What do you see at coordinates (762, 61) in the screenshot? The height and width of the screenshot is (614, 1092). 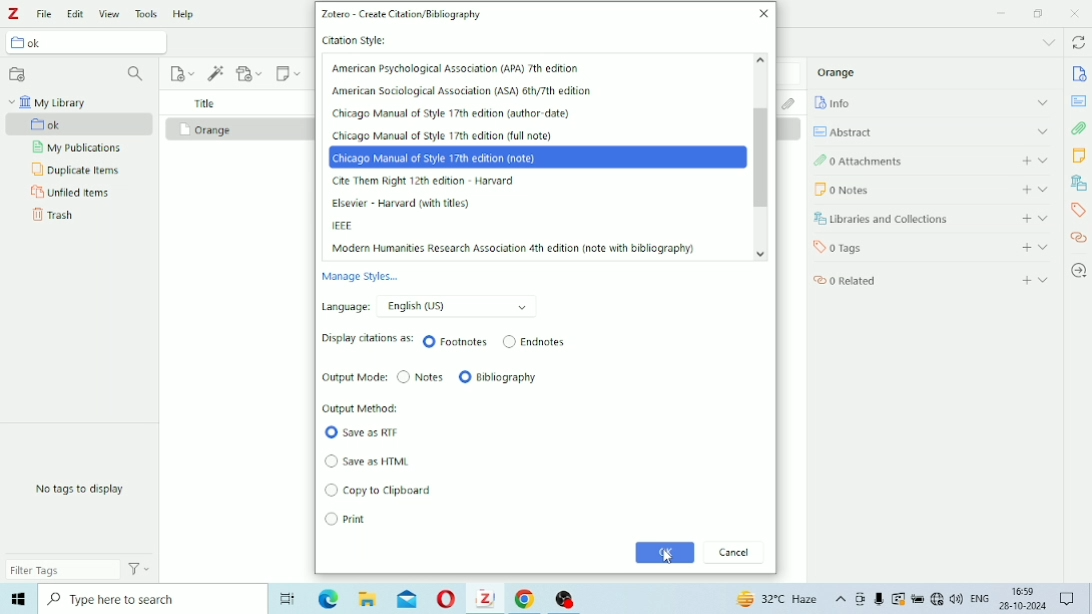 I see `Up` at bounding box center [762, 61].